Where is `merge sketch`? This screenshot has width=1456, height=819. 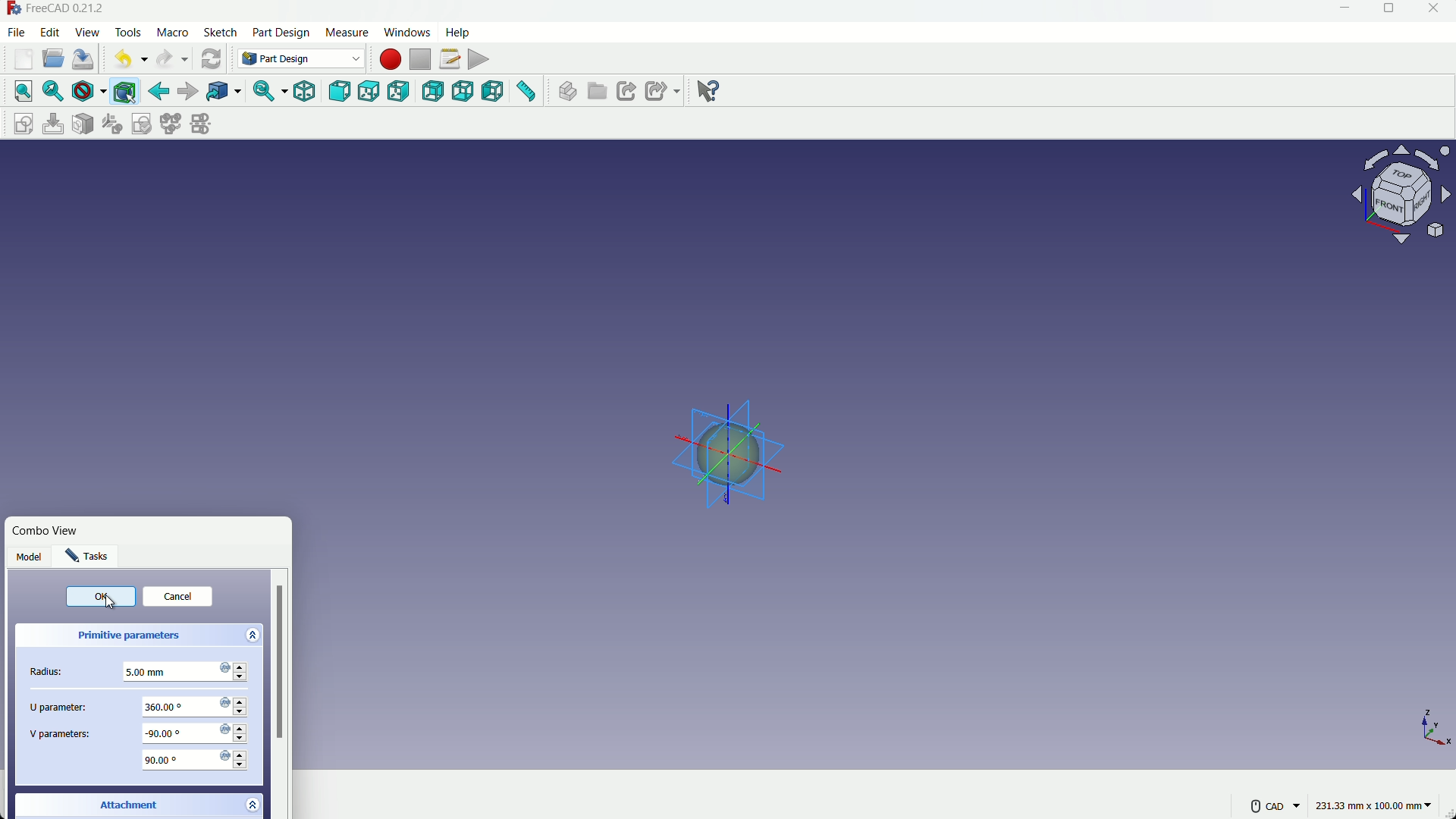 merge sketch is located at coordinates (169, 124).